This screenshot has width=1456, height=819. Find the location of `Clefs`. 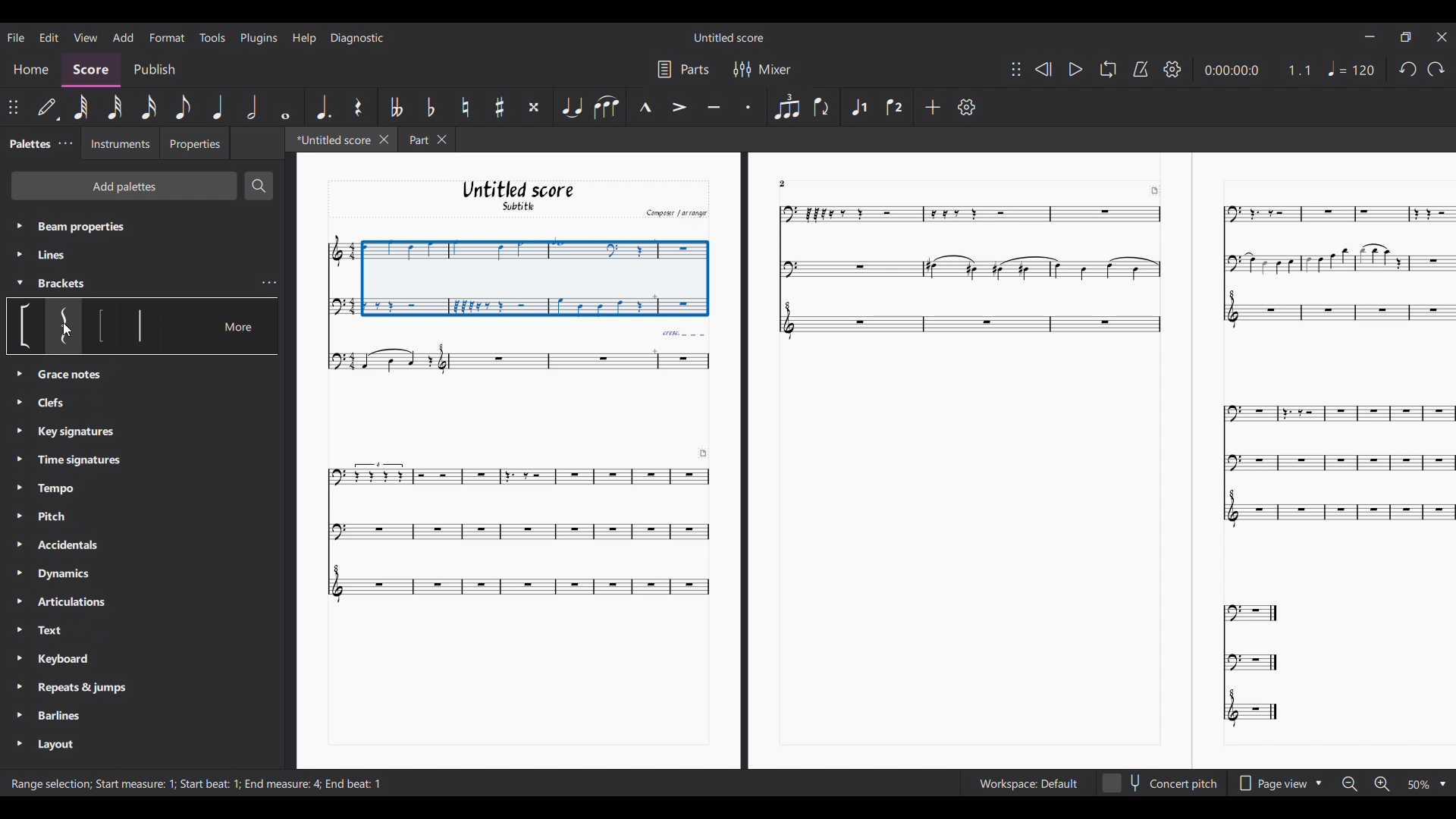

Clefs is located at coordinates (68, 375).